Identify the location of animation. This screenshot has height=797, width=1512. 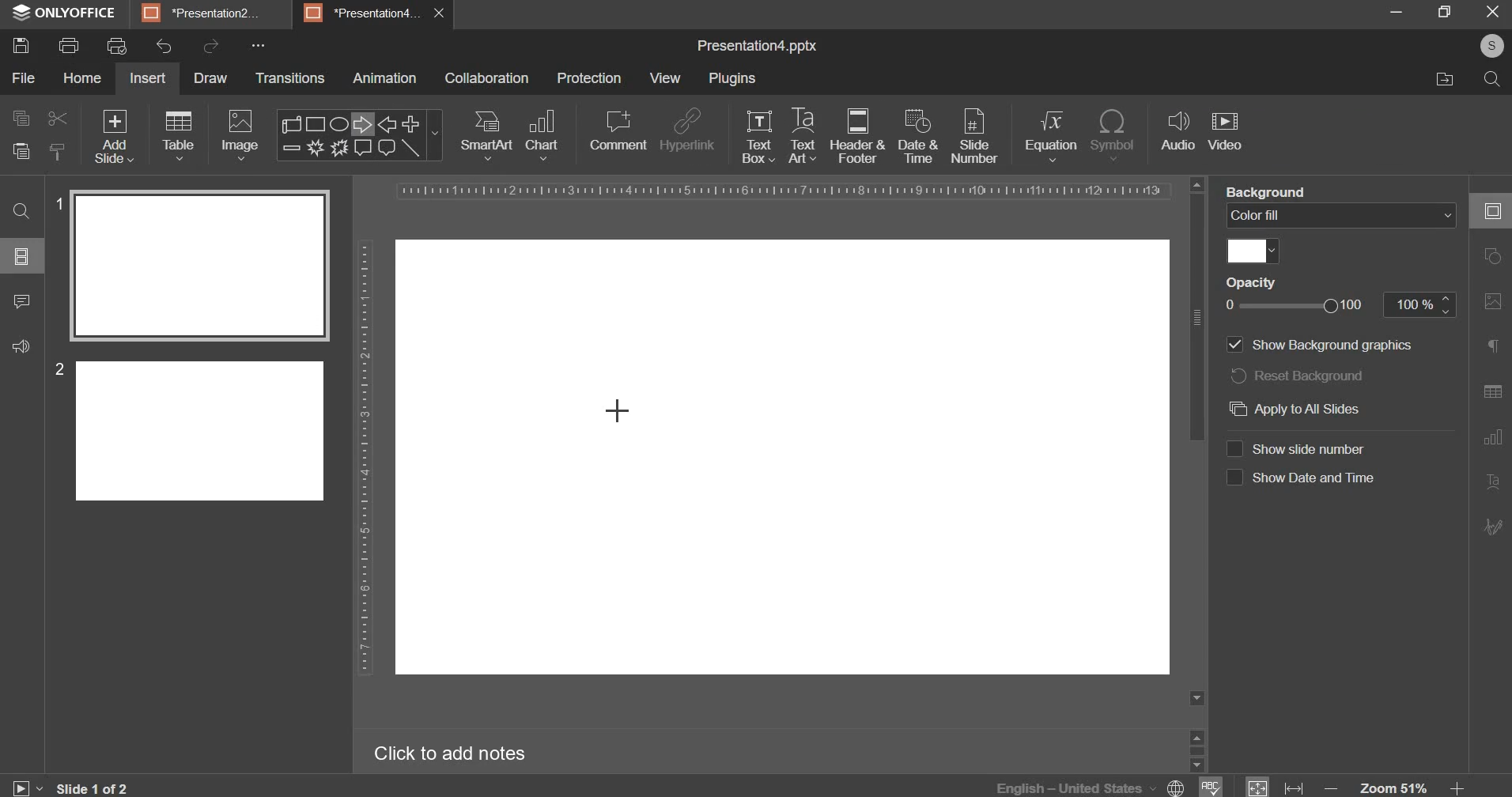
(384, 80).